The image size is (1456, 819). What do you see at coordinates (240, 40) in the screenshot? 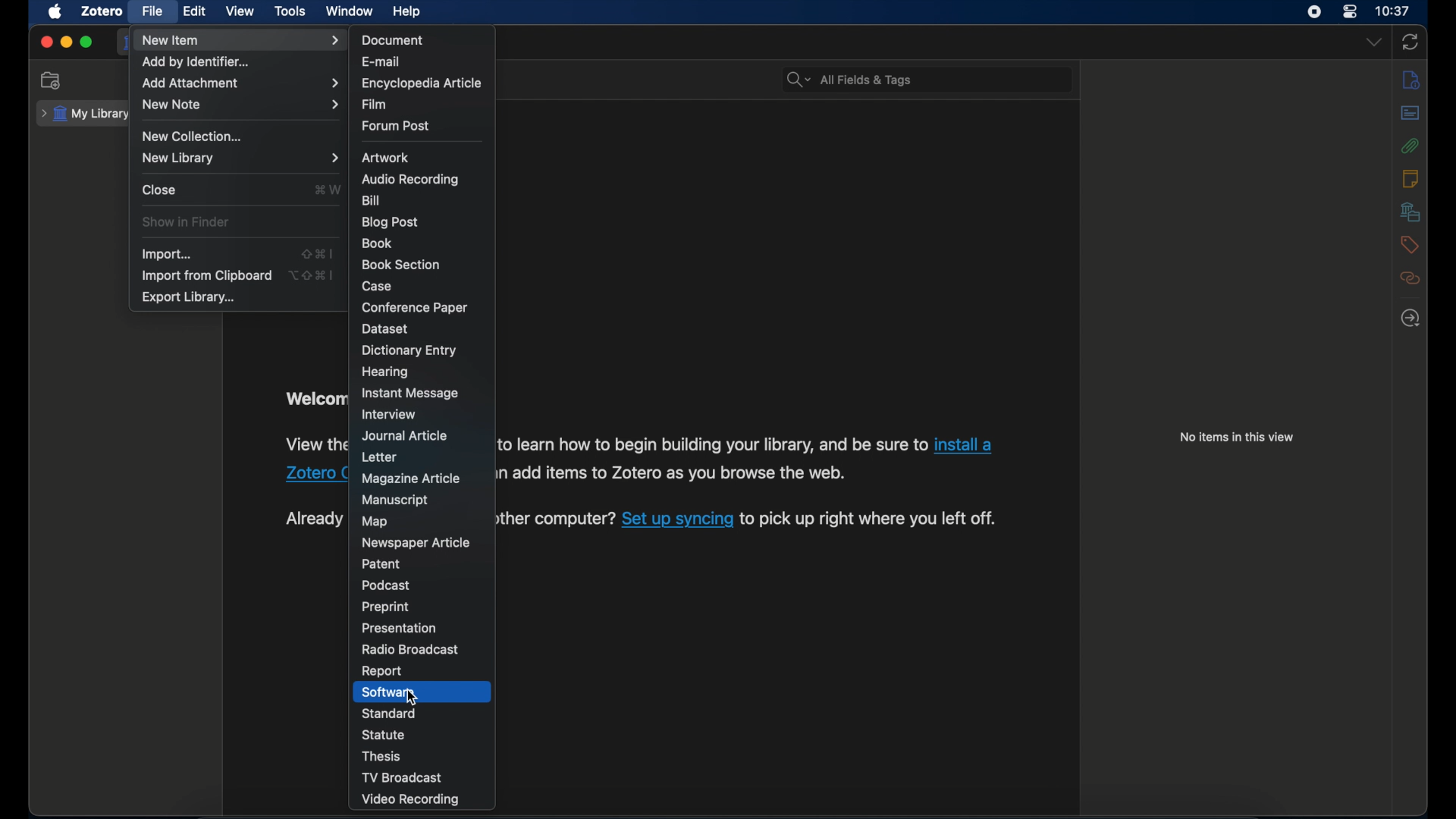
I see `new item` at bounding box center [240, 40].